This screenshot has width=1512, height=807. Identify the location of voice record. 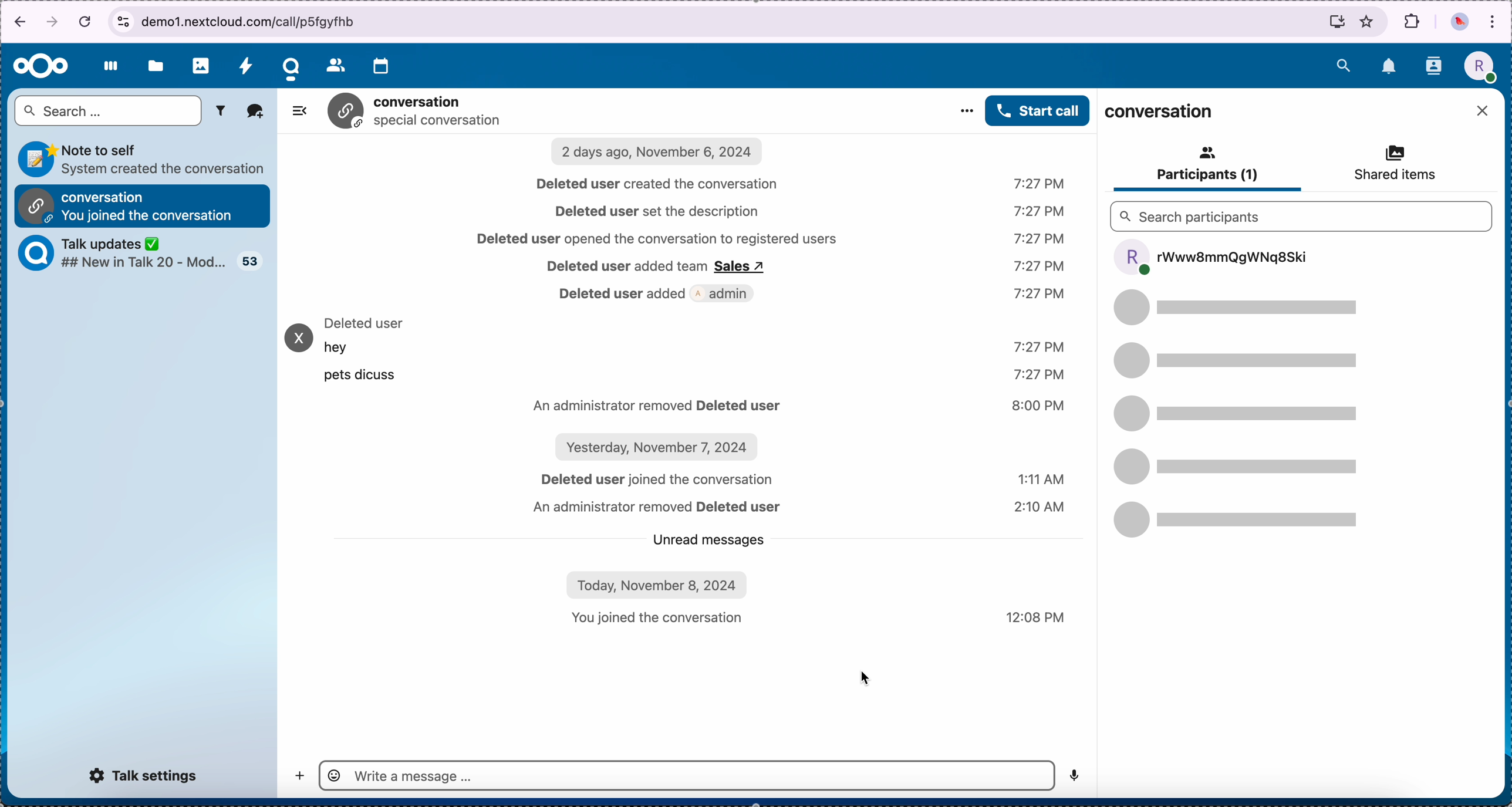
(1076, 772).